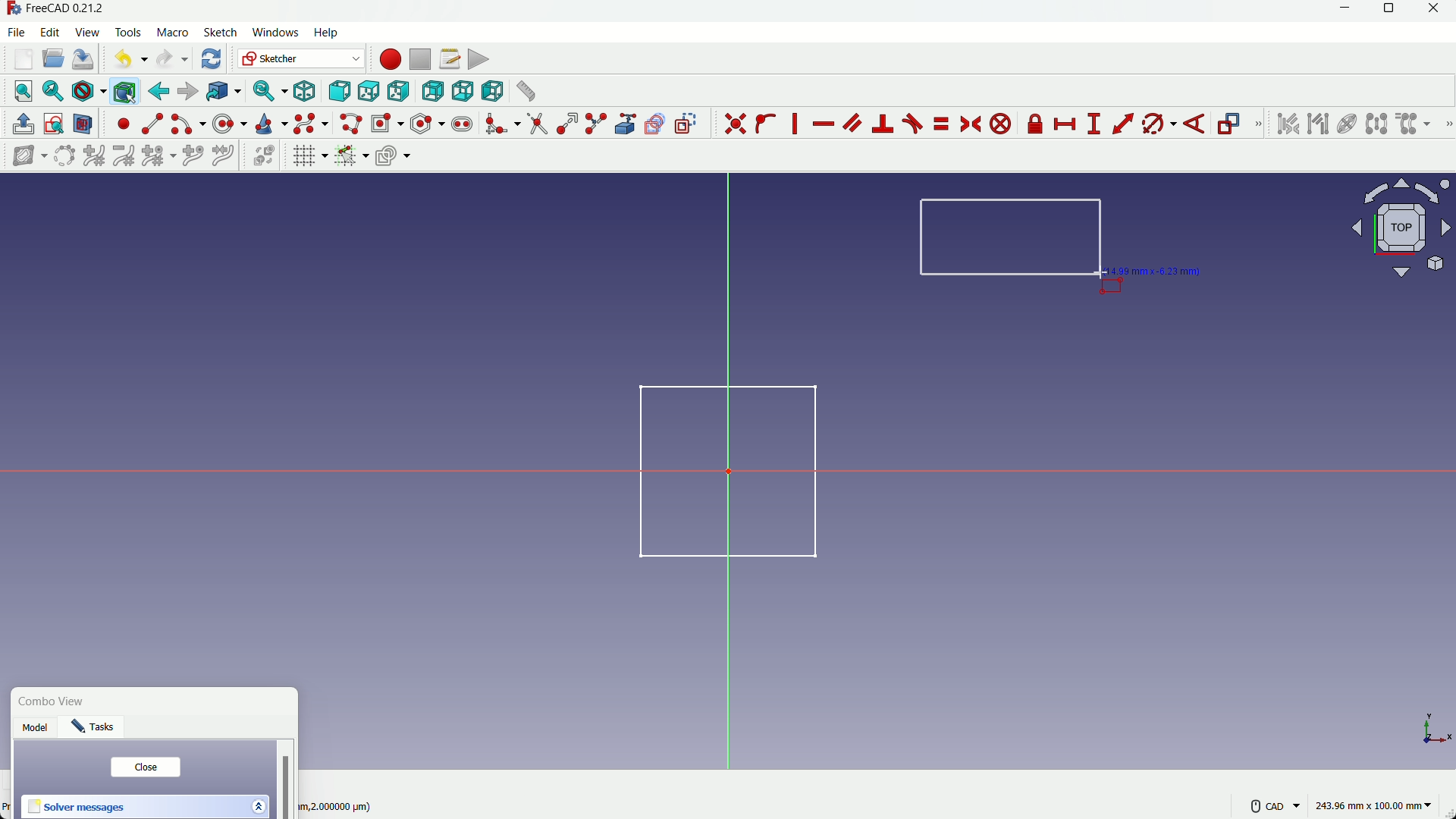 This screenshot has width=1456, height=819. What do you see at coordinates (51, 31) in the screenshot?
I see `edit menu` at bounding box center [51, 31].